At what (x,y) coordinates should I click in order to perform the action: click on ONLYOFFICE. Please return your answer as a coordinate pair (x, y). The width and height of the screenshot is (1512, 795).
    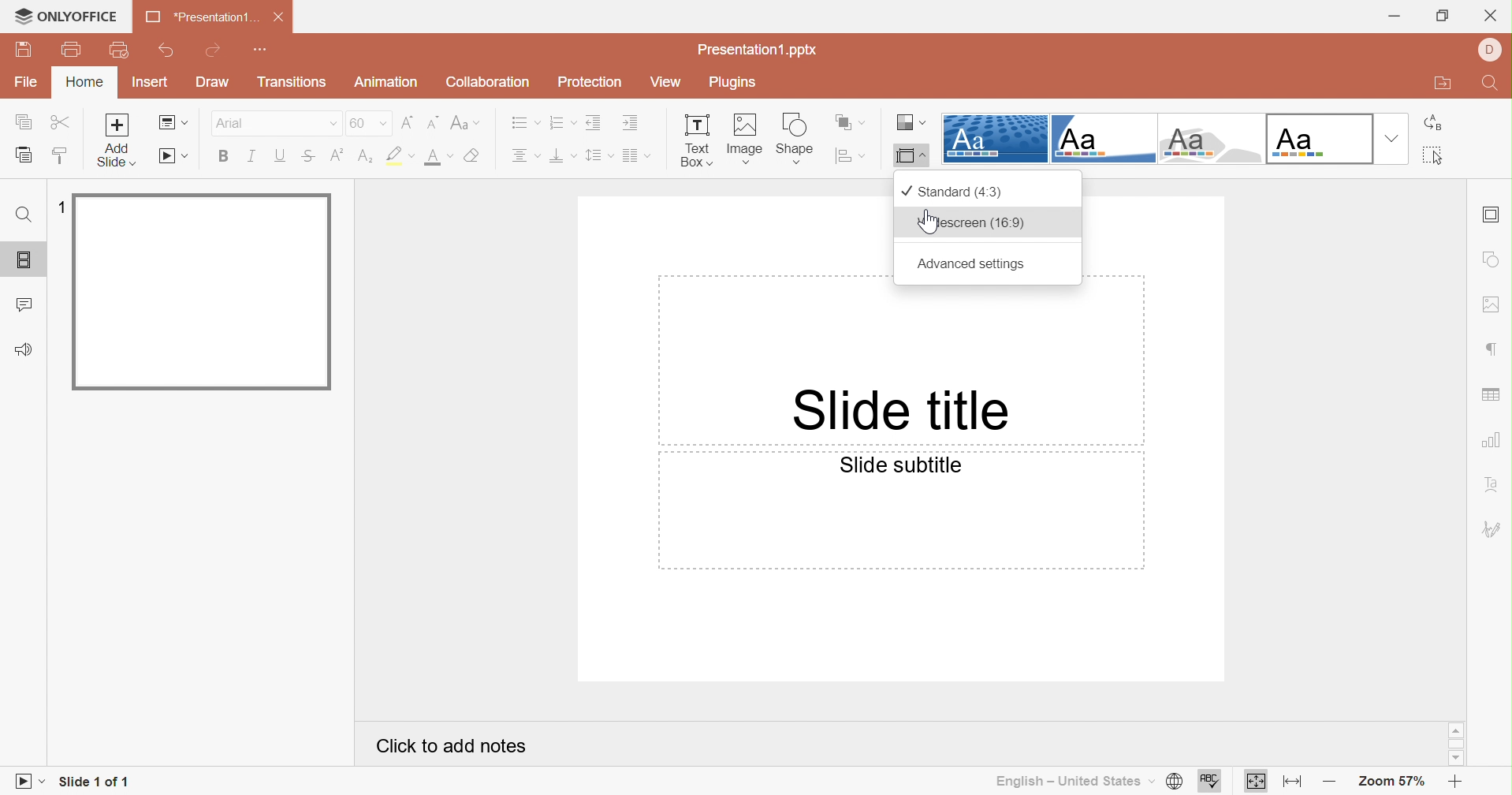
    Looking at the image, I should click on (69, 17).